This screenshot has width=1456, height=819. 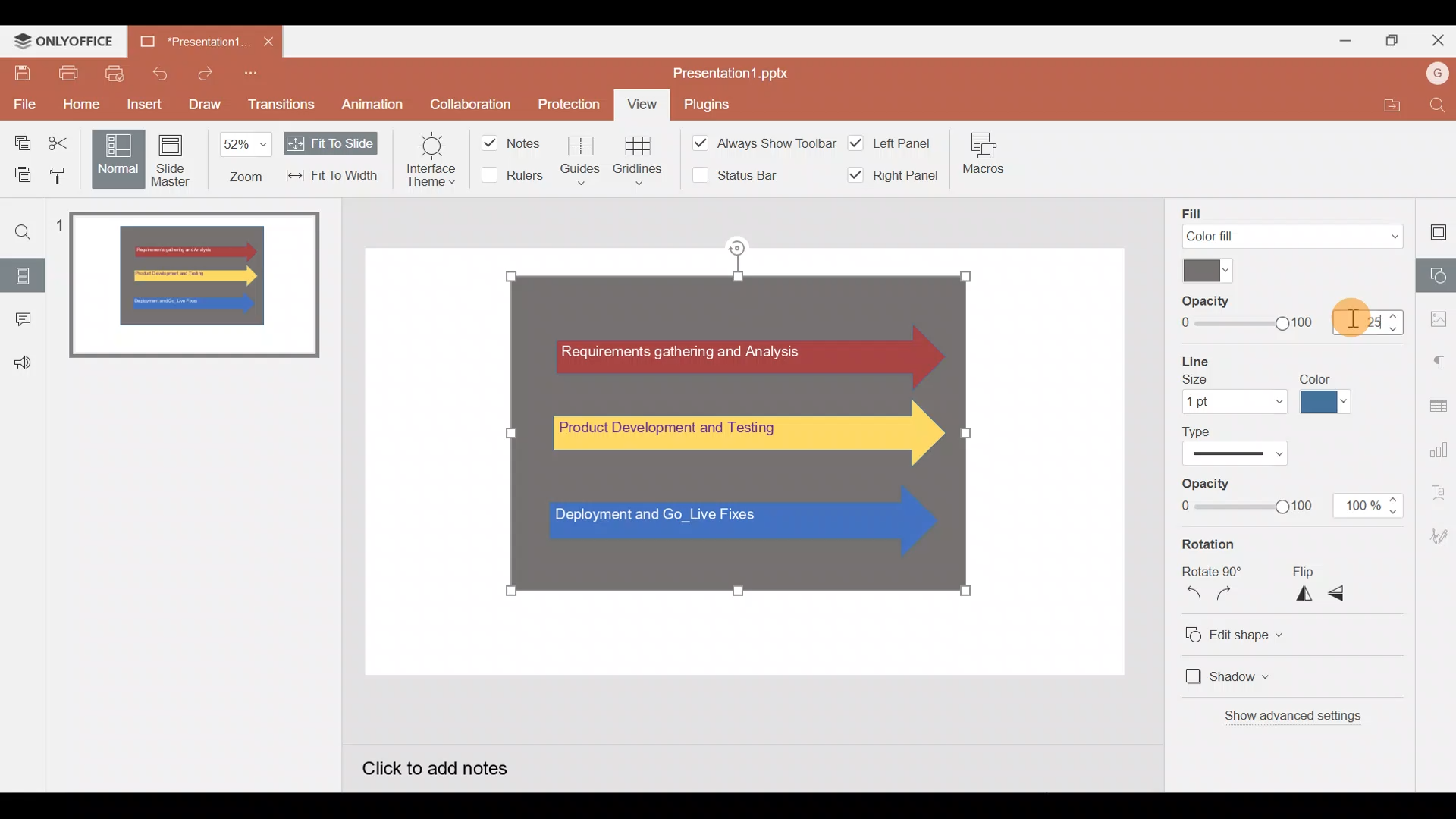 What do you see at coordinates (1360, 306) in the screenshot?
I see `Cursor on opacity%` at bounding box center [1360, 306].